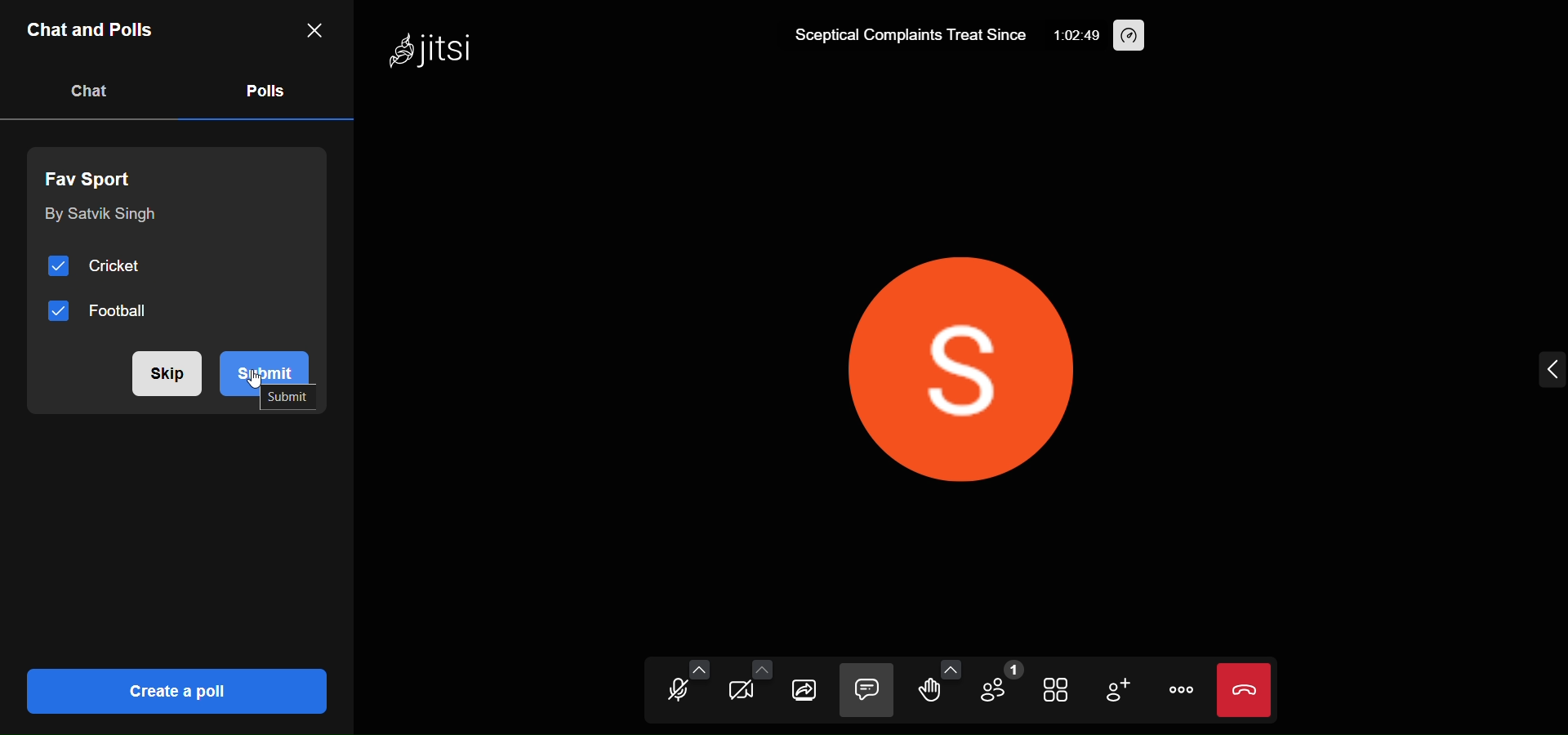  Describe the element at coordinates (1550, 371) in the screenshot. I see `expand` at that location.